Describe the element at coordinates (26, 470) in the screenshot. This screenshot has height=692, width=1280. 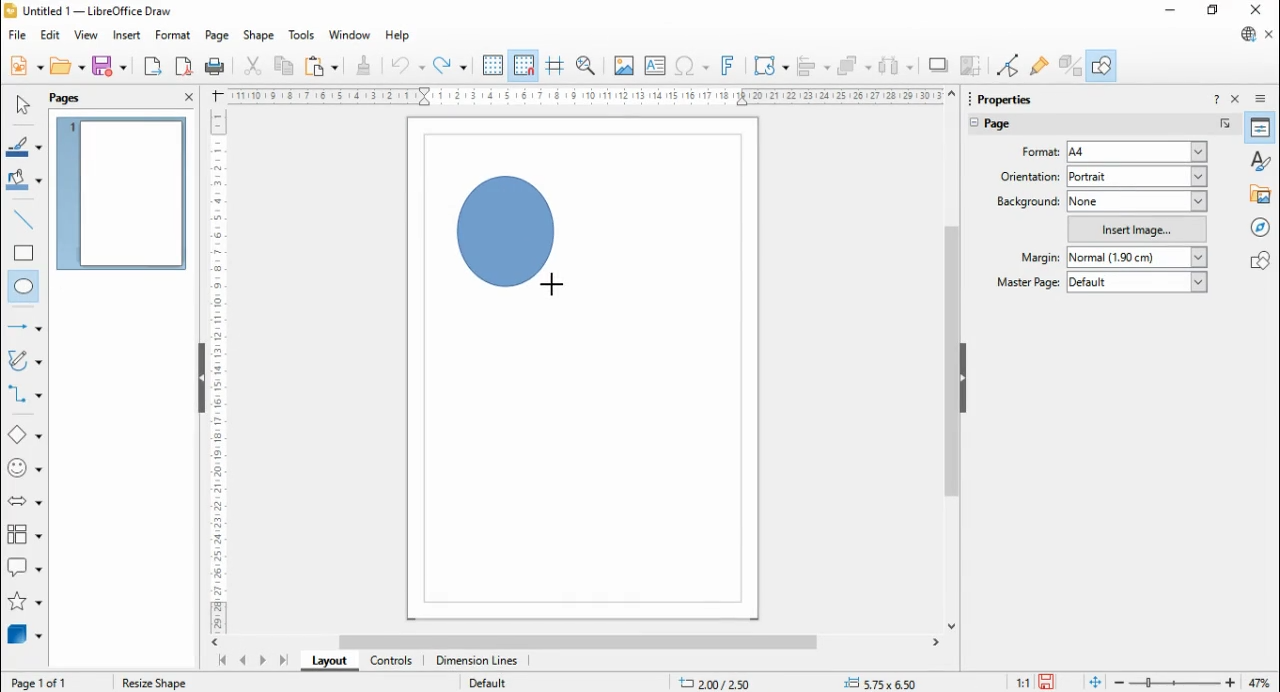
I see `symbol shapes` at that location.